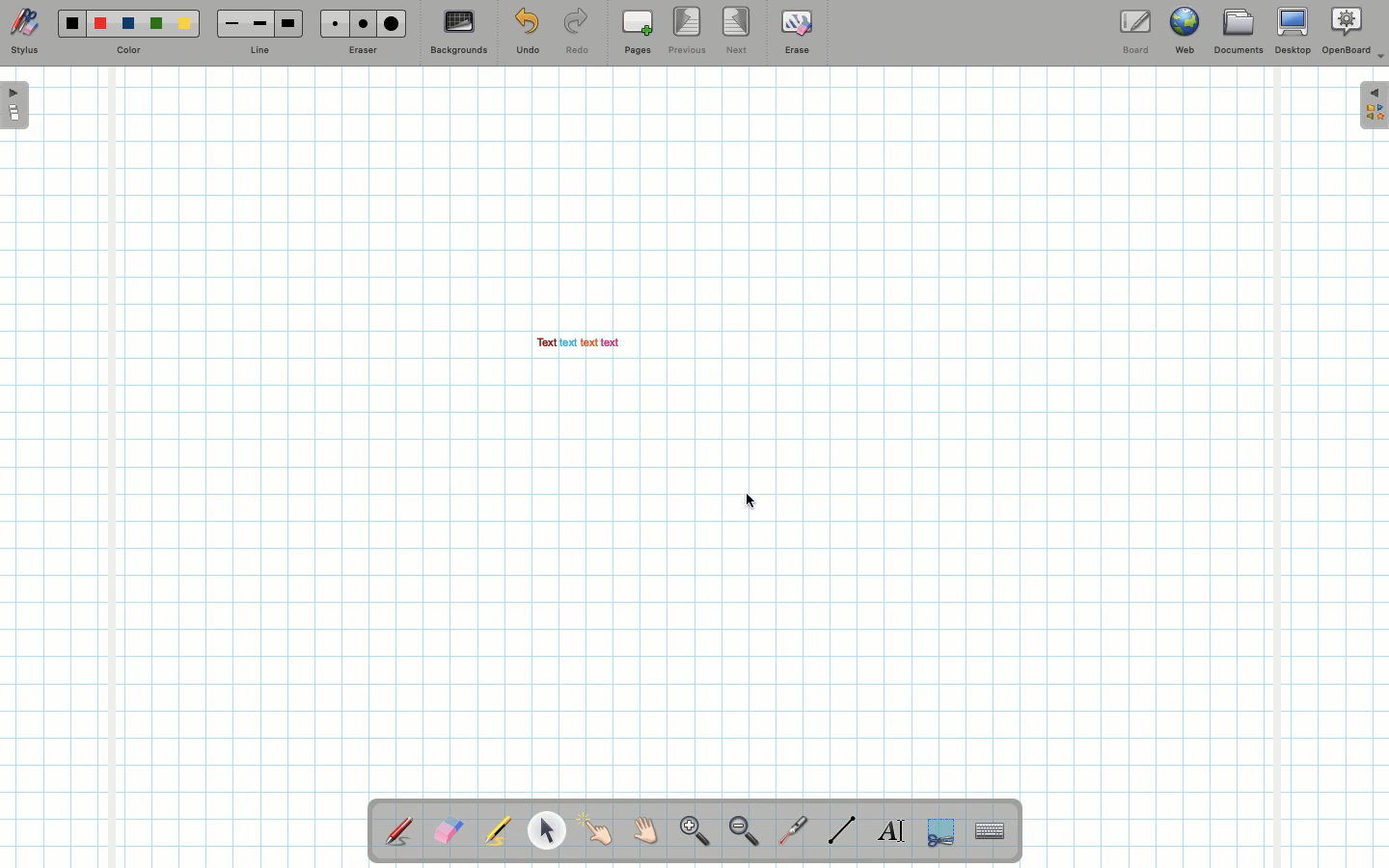 This screenshot has width=1389, height=868. What do you see at coordinates (330, 23) in the screenshot?
I see `Small eraser` at bounding box center [330, 23].